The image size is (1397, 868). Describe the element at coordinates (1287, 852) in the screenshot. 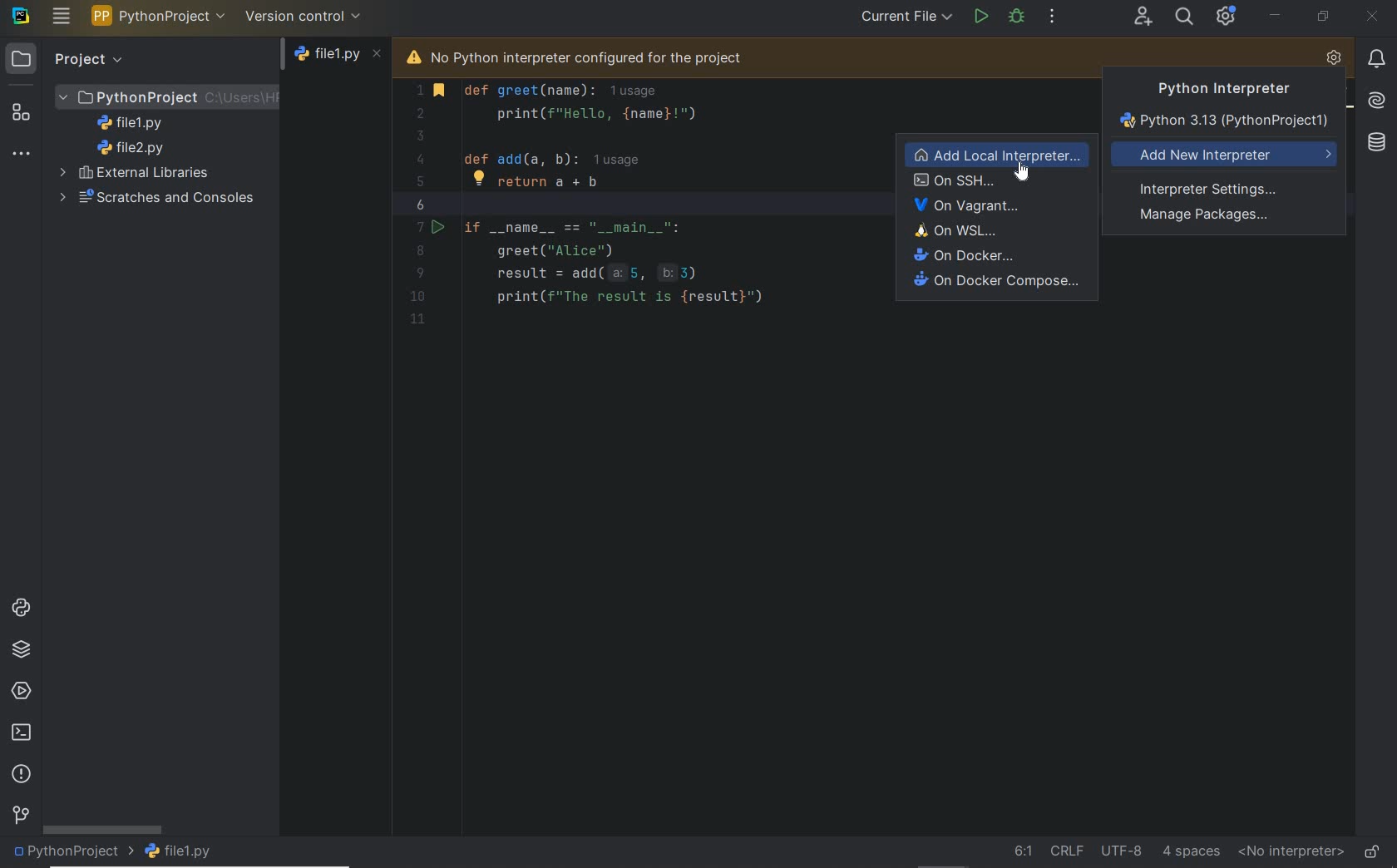

I see `No interpreter` at that location.